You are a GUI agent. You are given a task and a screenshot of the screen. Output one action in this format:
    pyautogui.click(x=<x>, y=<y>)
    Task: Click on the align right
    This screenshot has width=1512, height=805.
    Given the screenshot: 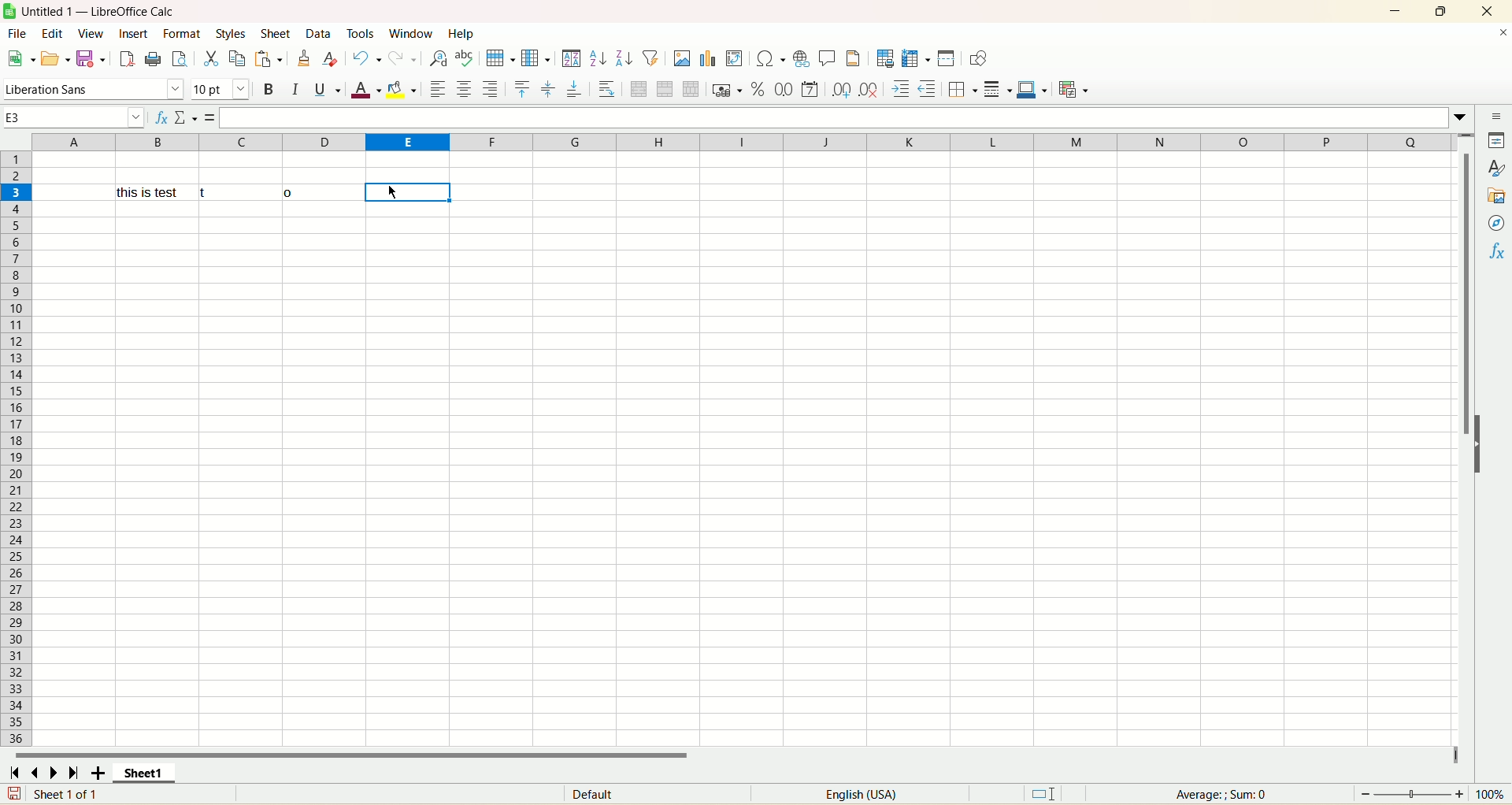 What is the action you would take?
    pyautogui.click(x=491, y=88)
    